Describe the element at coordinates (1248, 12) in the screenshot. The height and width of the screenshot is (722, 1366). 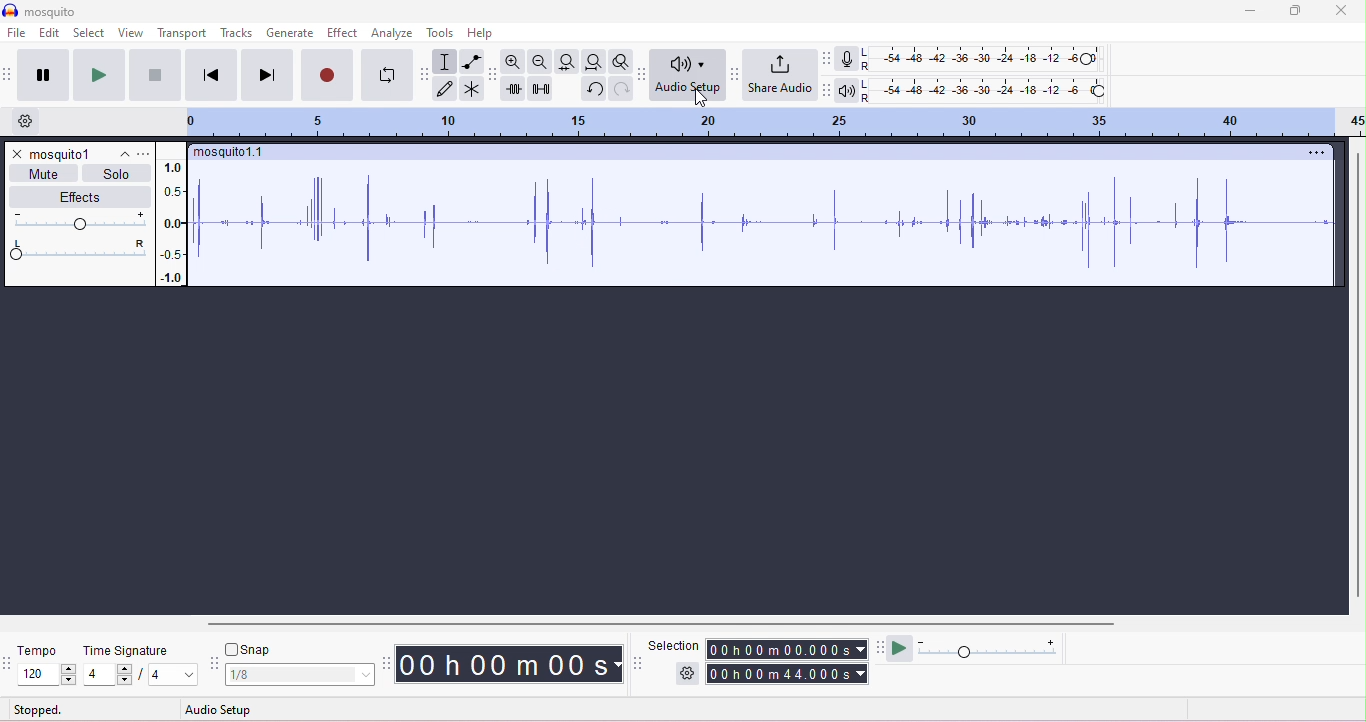
I see `minimize` at that location.